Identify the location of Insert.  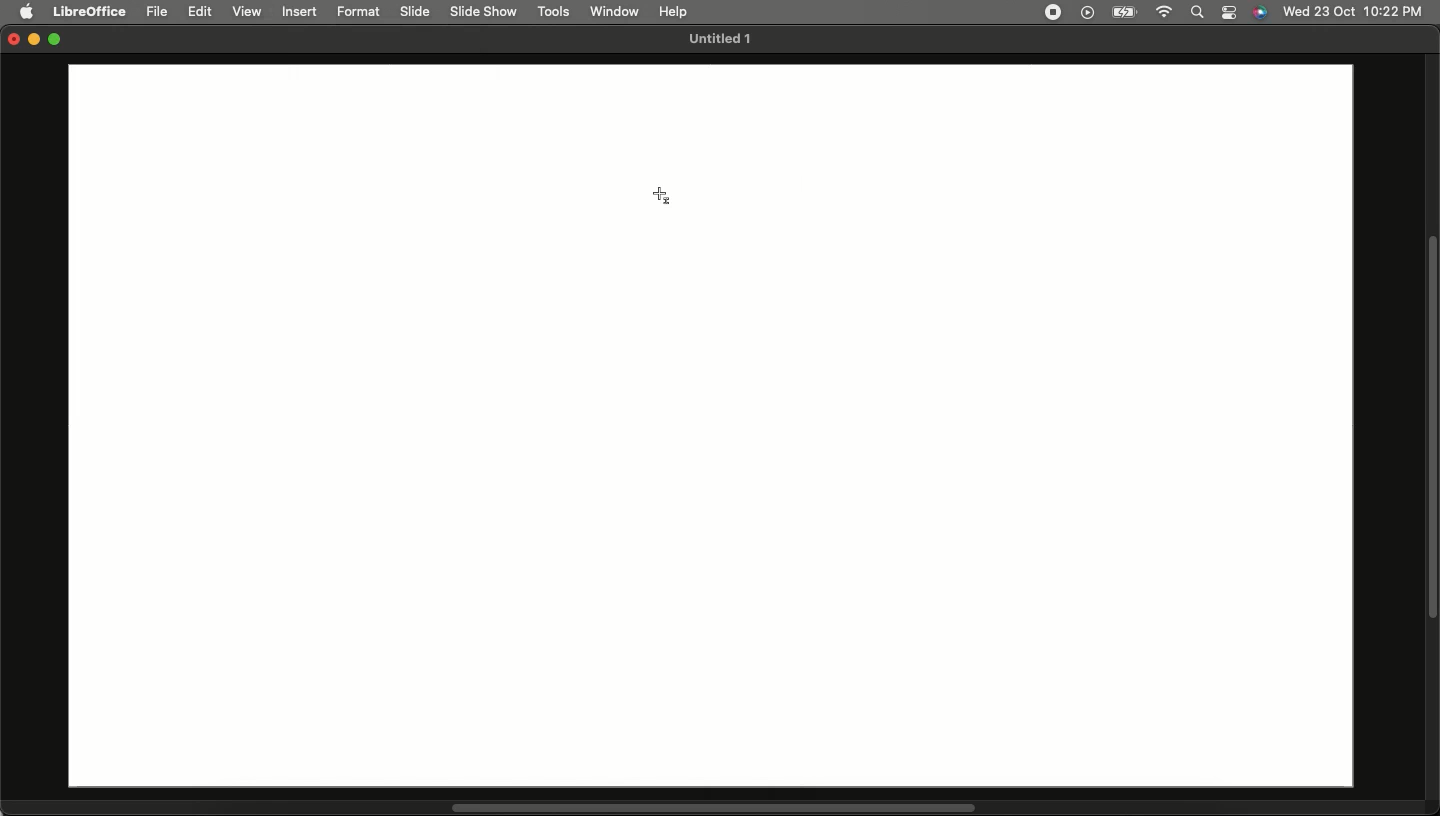
(301, 12).